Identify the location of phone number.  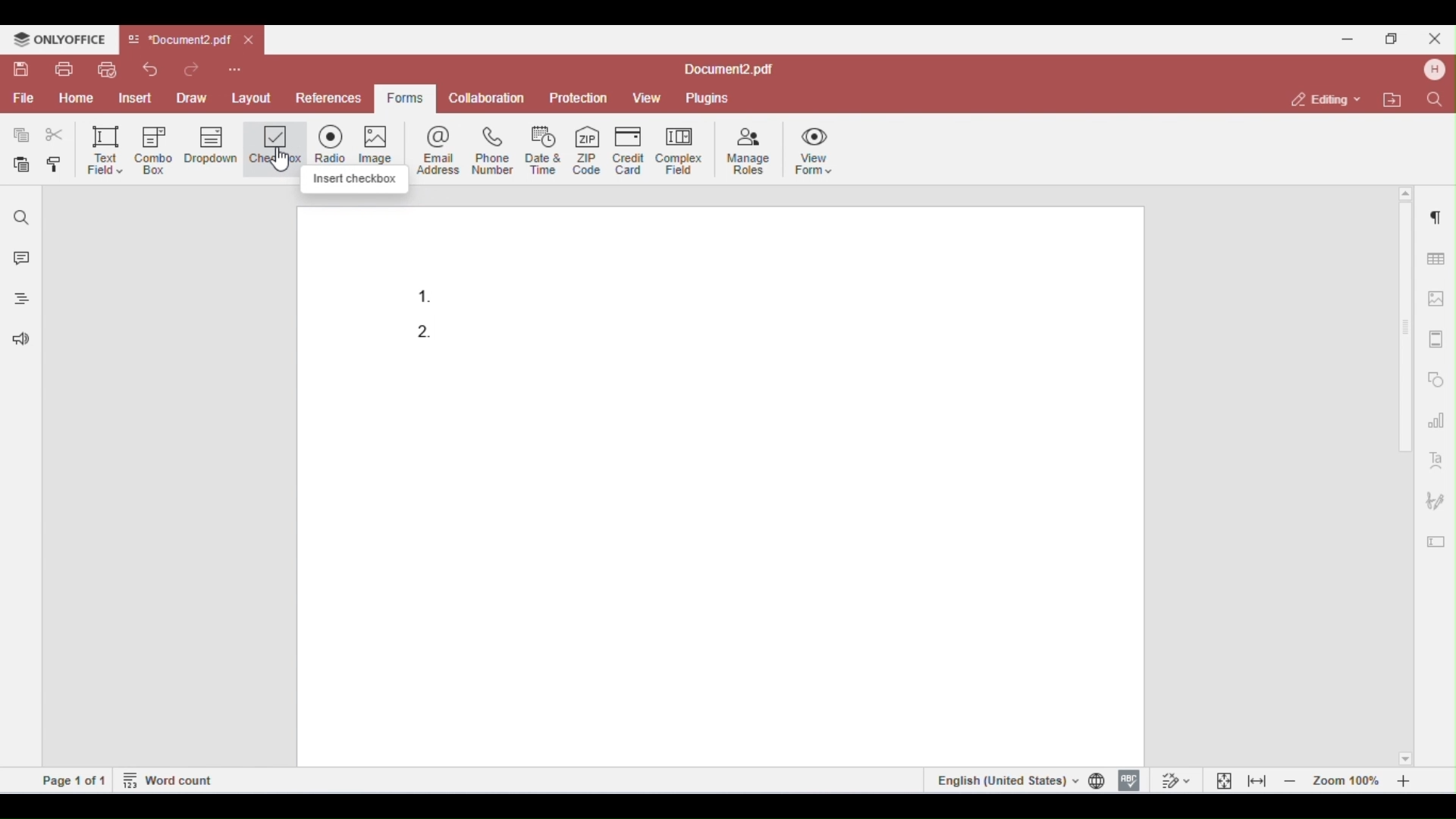
(491, 150).